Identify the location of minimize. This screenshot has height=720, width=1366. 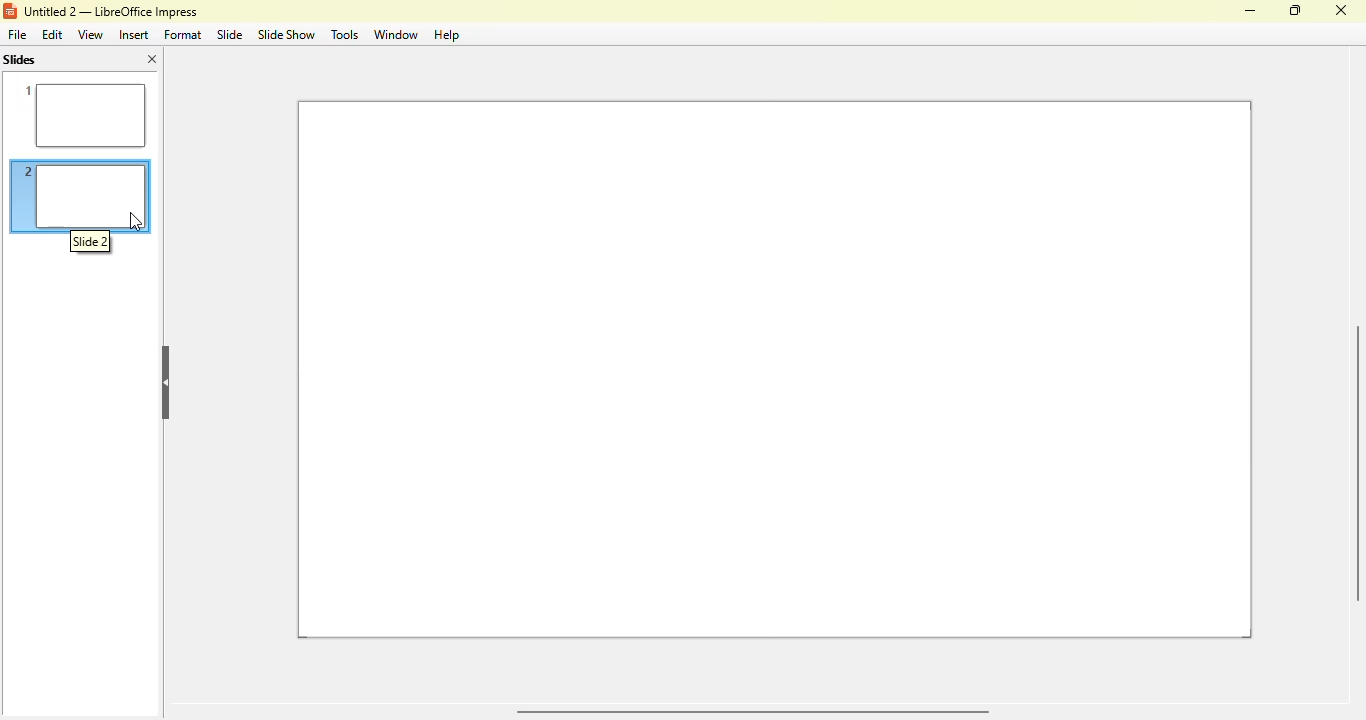
(1250, 11).